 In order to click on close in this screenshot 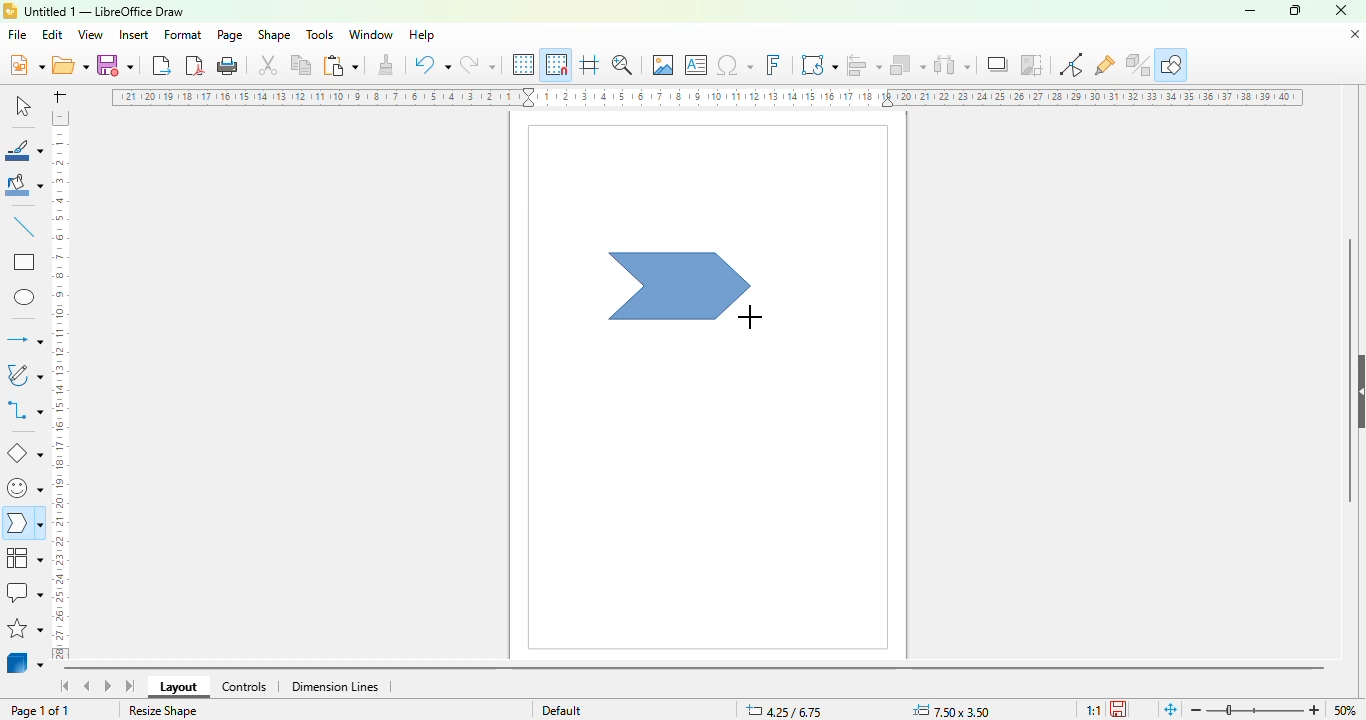, I will do `click(1341, 10)`.